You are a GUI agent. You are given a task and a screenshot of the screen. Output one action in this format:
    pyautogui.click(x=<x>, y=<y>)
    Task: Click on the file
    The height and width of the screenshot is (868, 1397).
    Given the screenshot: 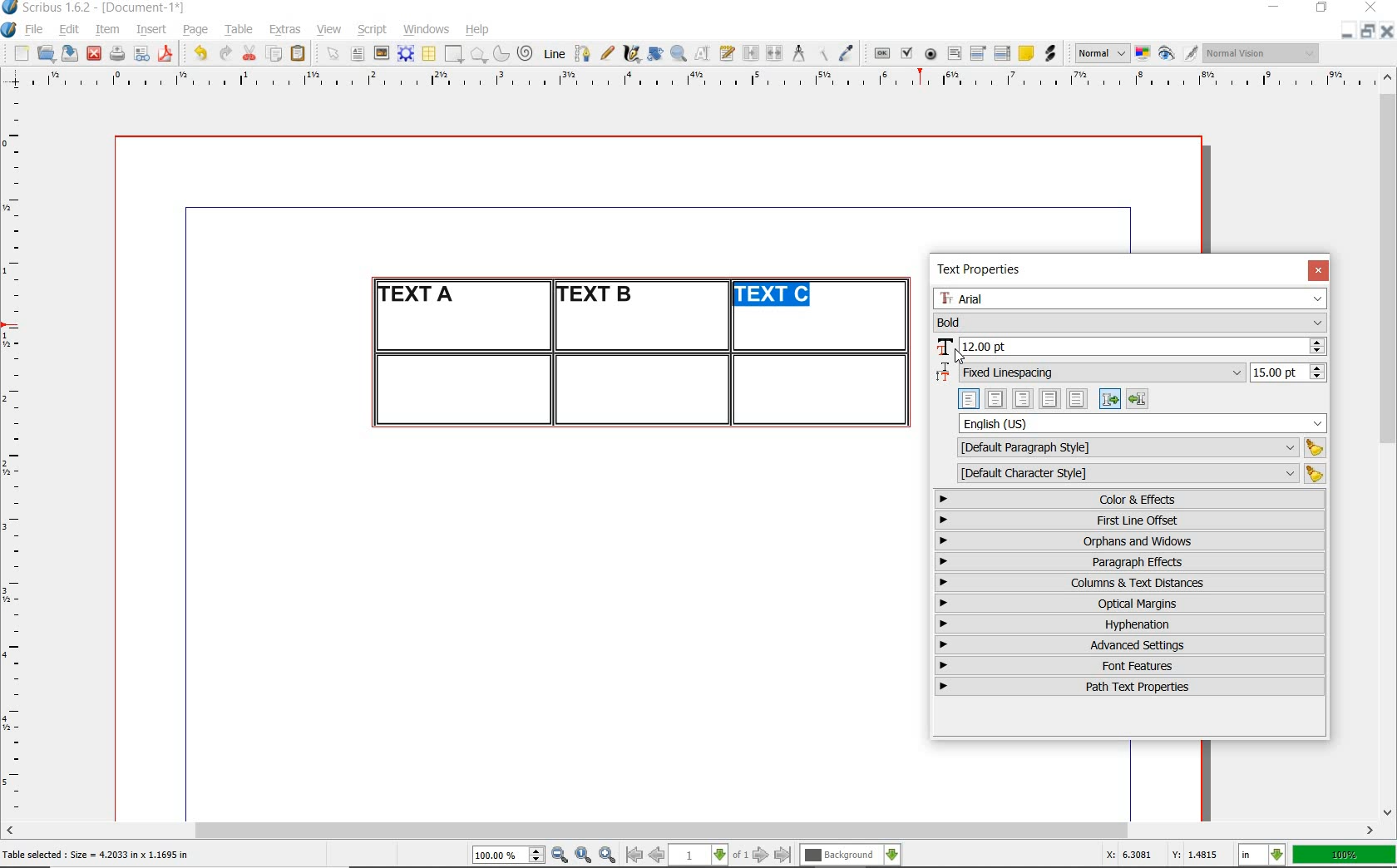 What is the action you would take?
    pyautogui.click(x=36, y=30)
    